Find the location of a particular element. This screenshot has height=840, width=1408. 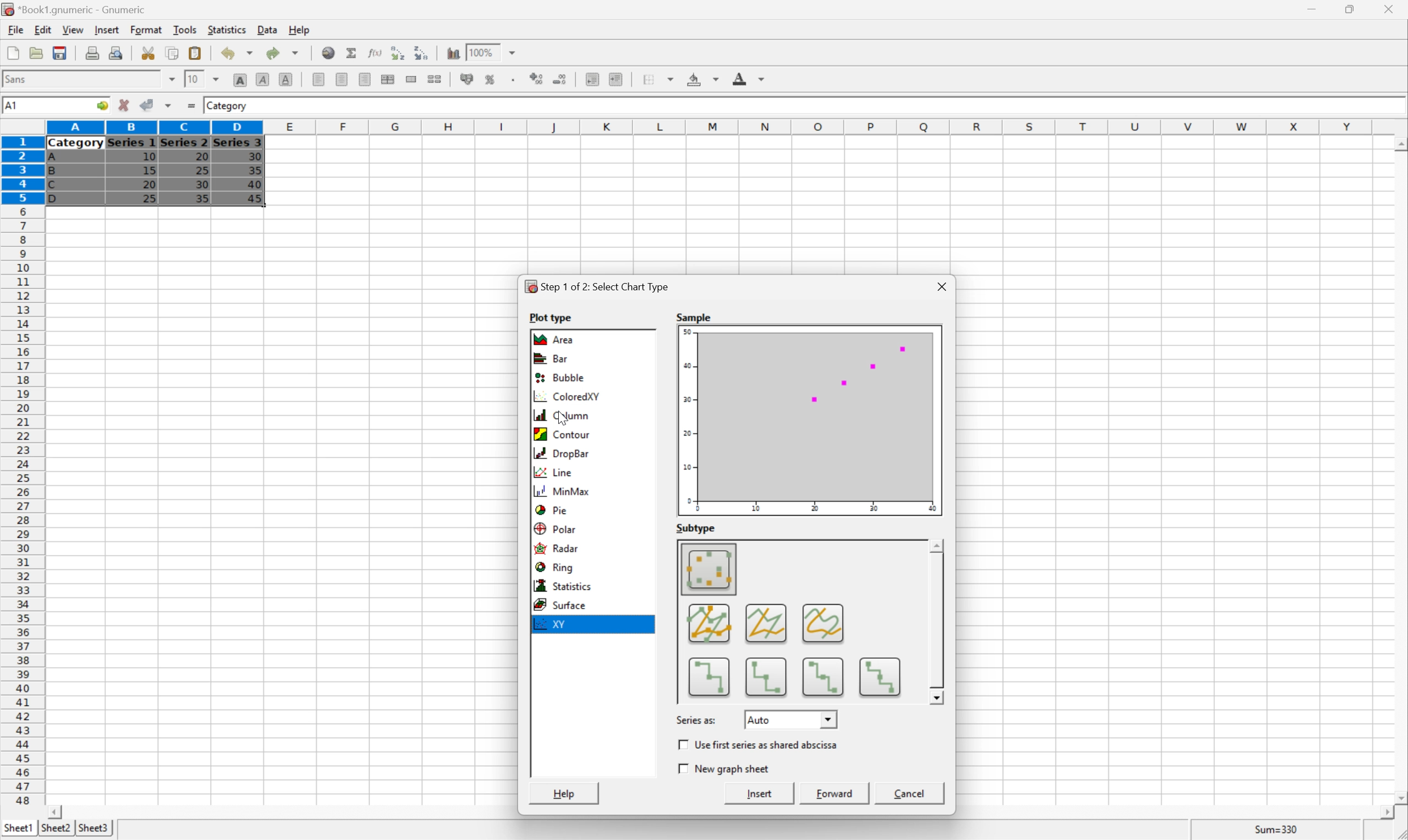

MinMax is located at coordinates (565, 491).